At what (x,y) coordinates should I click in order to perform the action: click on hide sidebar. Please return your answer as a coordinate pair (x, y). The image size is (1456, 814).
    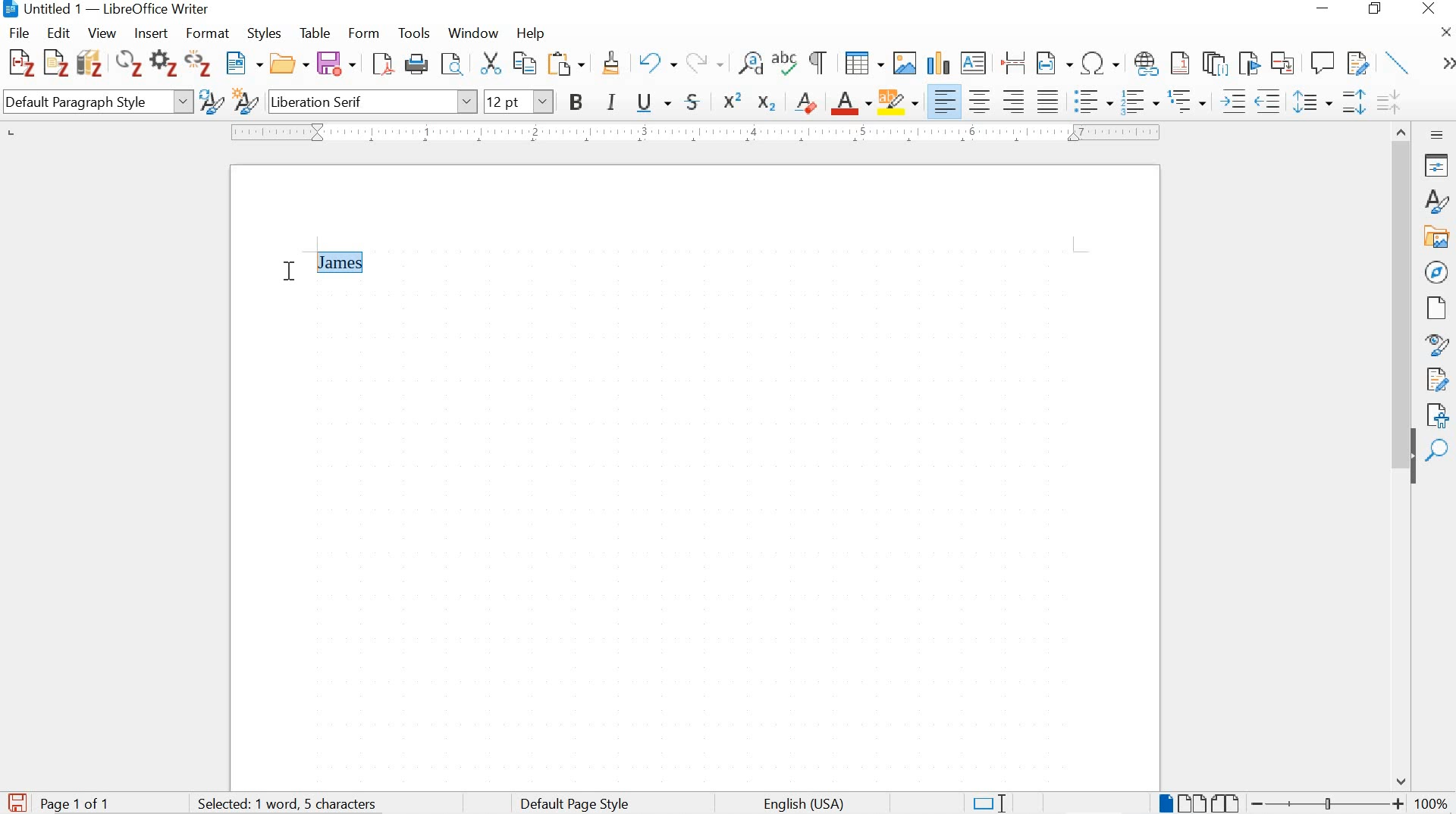
    Looking at the image, I should click on (1412, 465).